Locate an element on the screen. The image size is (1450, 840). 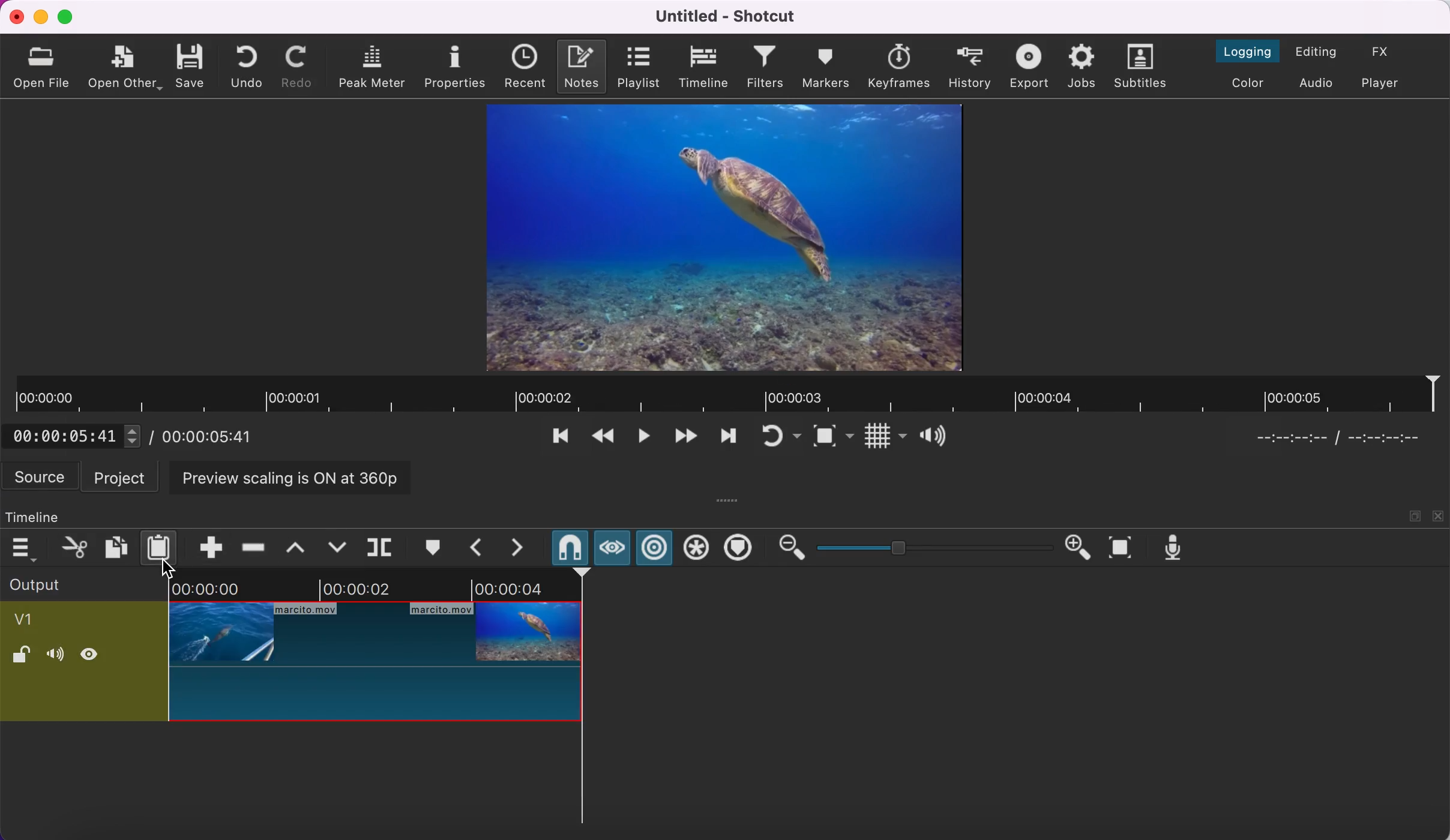
paste is located at coordinates (161, 547).